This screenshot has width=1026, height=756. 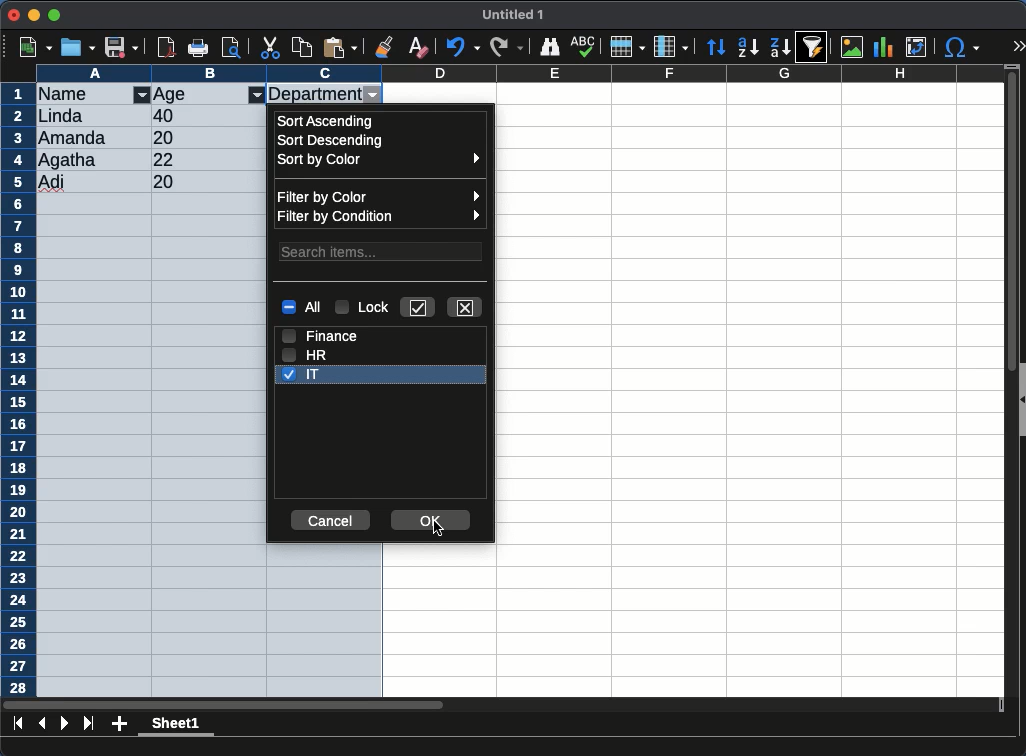 I want to click on filter by color, so click(x=379, y=195).